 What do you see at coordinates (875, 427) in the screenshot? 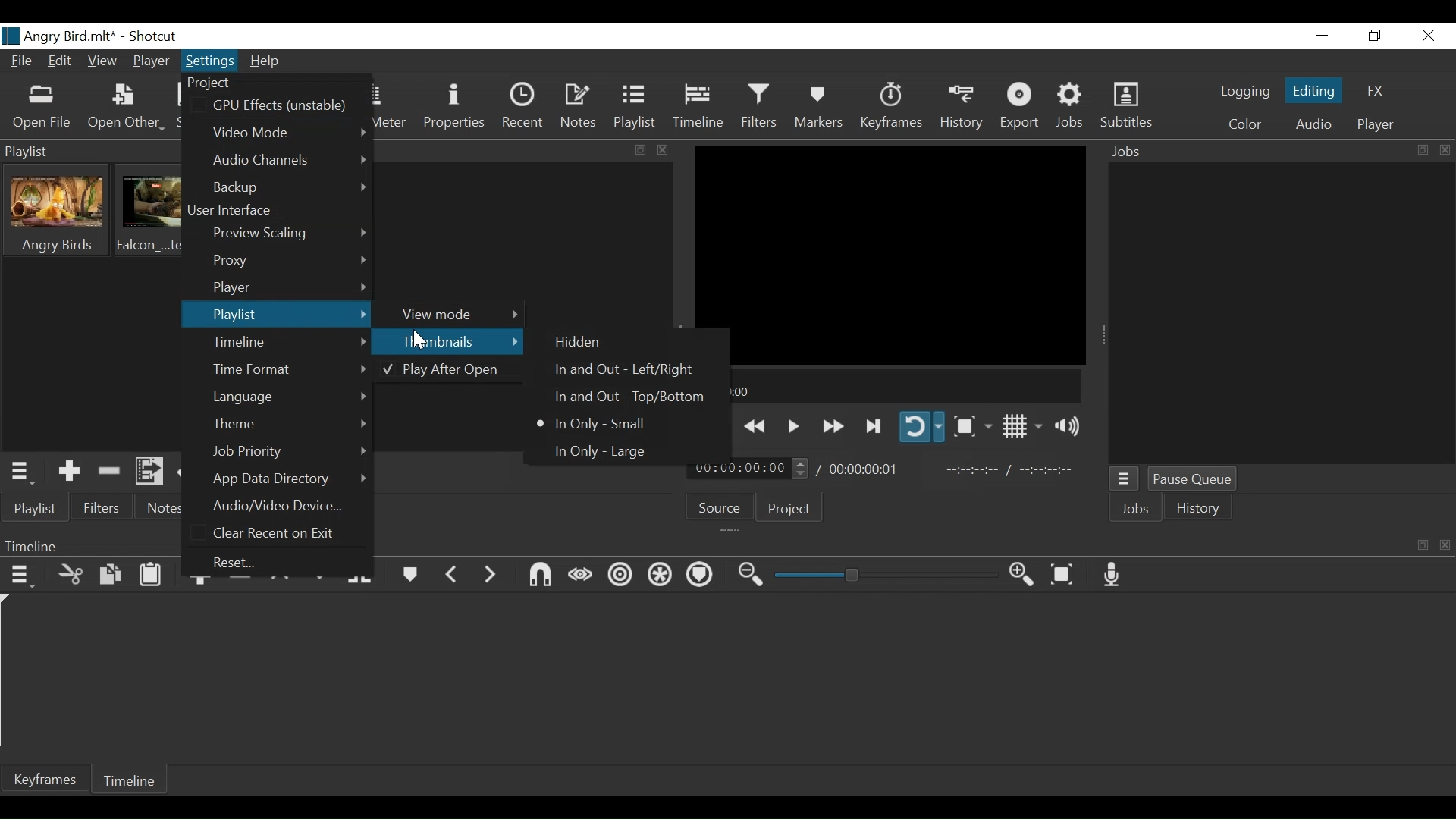
I see `Skip to the next point` at bounding box center [875, 427].